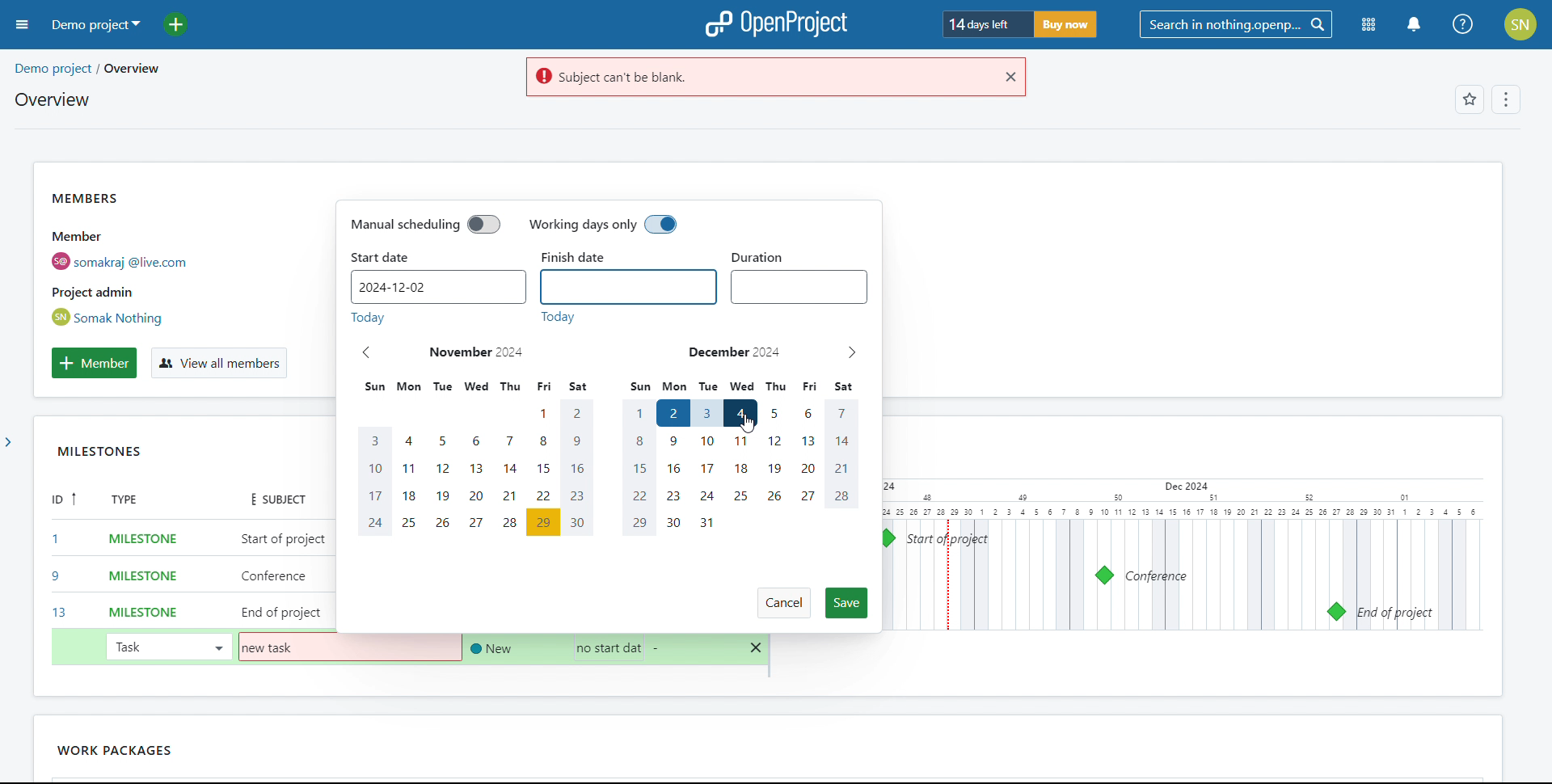  I want to click on account, so click(1521, 24).